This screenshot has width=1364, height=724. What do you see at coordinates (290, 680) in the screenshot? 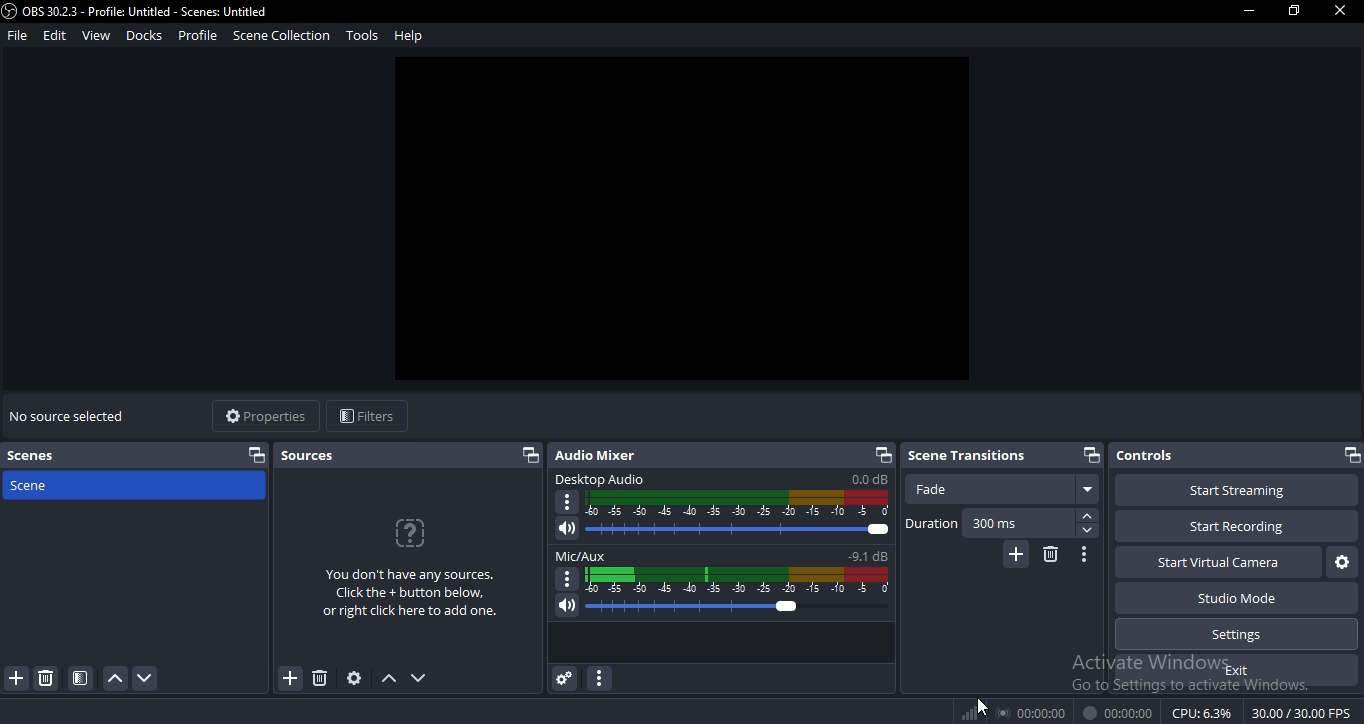
I see `add sources` at bounding box center [290, 680].